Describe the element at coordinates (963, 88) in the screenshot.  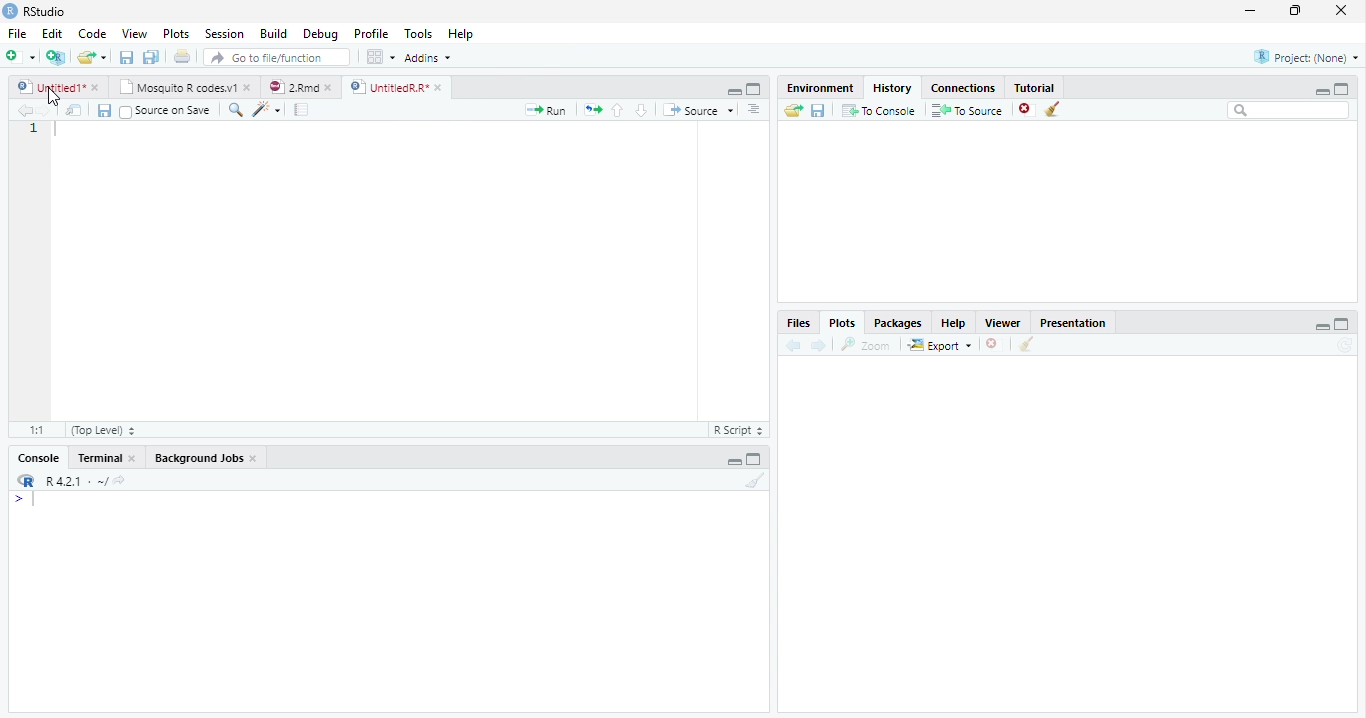
I see `Connections` at that location.